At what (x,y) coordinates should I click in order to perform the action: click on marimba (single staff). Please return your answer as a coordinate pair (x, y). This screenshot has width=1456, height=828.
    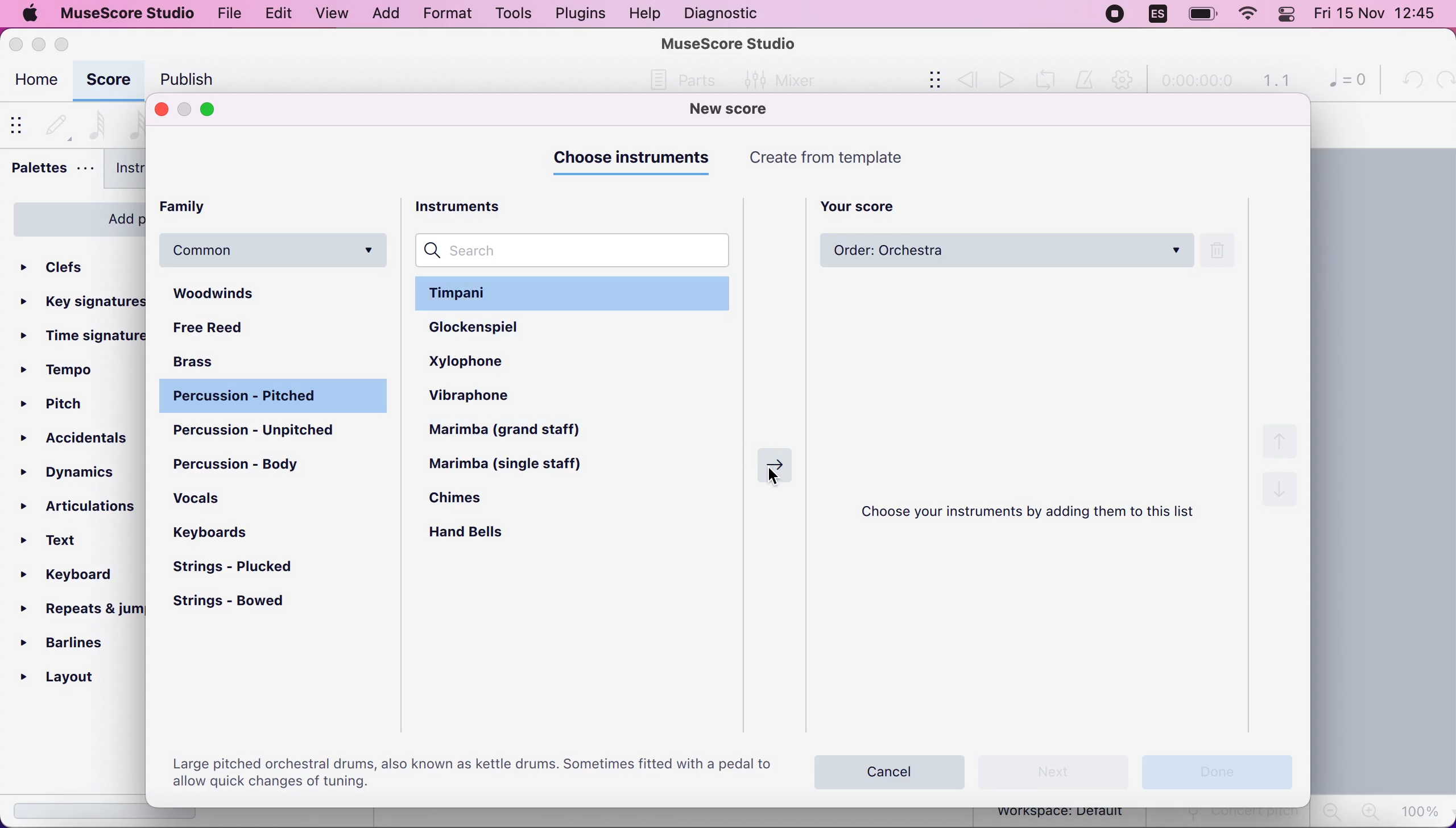
    Looking at the image, I should click on (519, 465).